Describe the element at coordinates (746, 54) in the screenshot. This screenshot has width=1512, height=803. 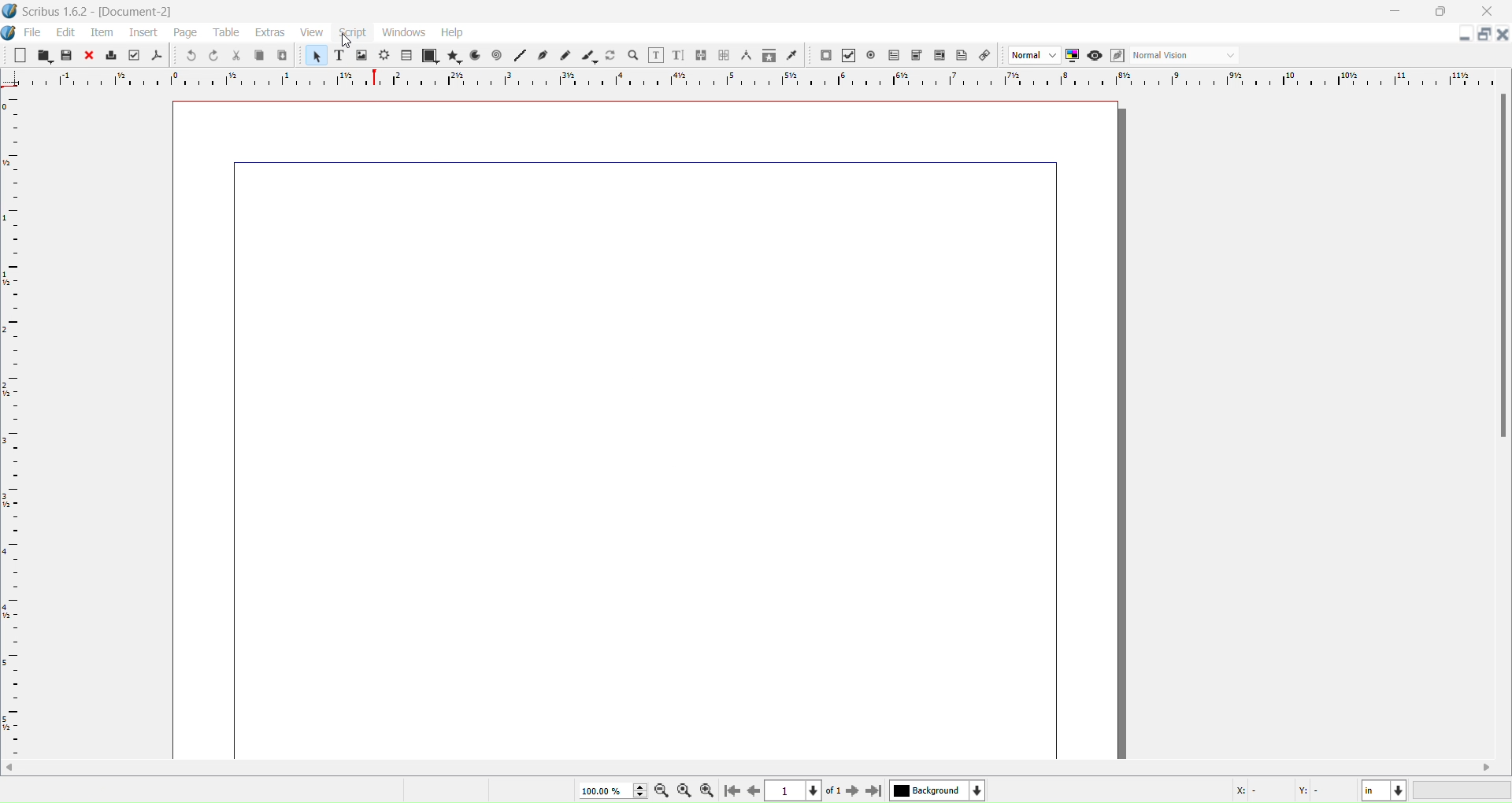
I see `Measurements` at that location.